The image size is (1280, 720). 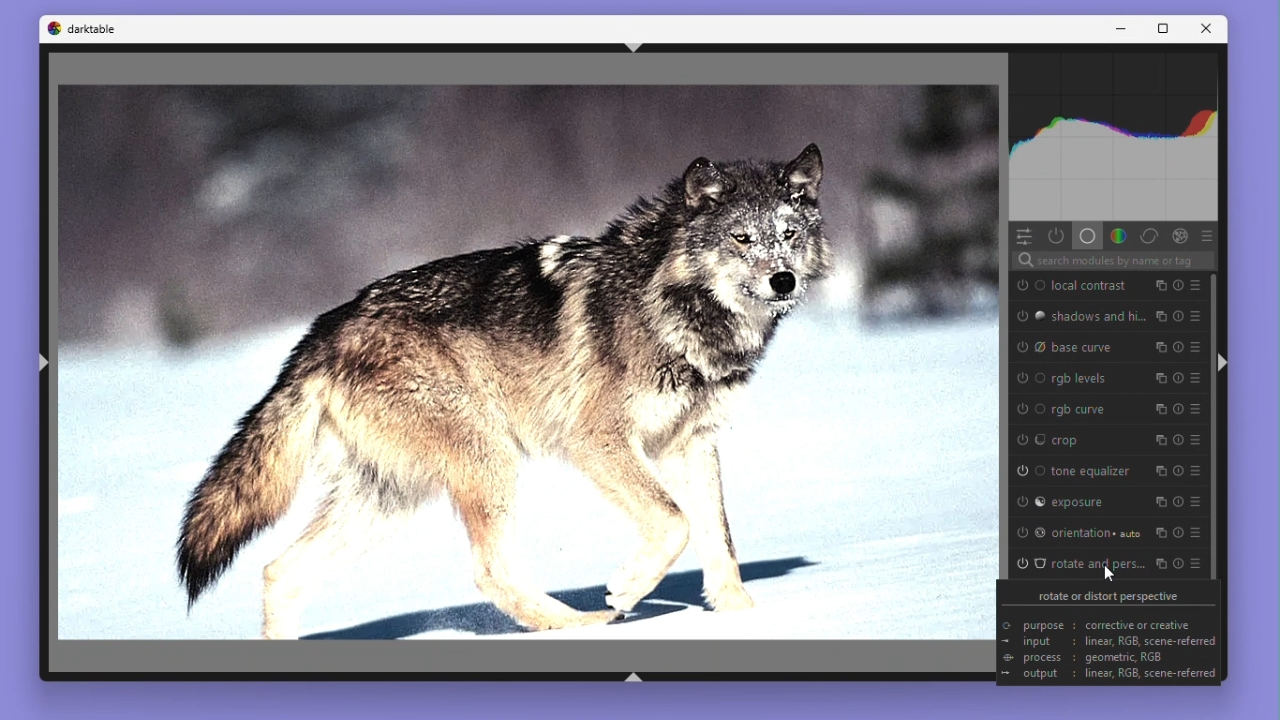 I want to click on Shift + ctrl + t, so click(x=633, y=47).